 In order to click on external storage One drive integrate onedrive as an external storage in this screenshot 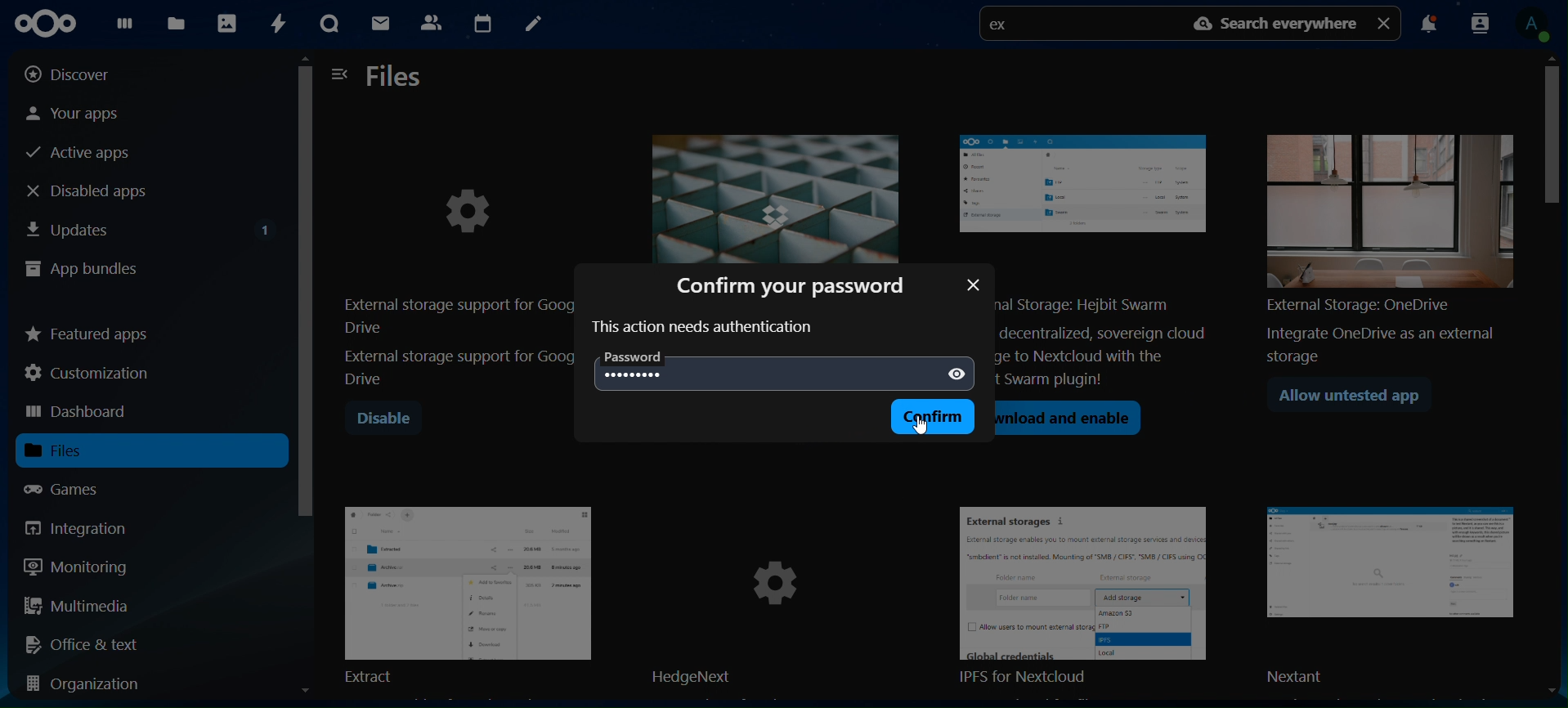, I will do `click(1384, 242)`.